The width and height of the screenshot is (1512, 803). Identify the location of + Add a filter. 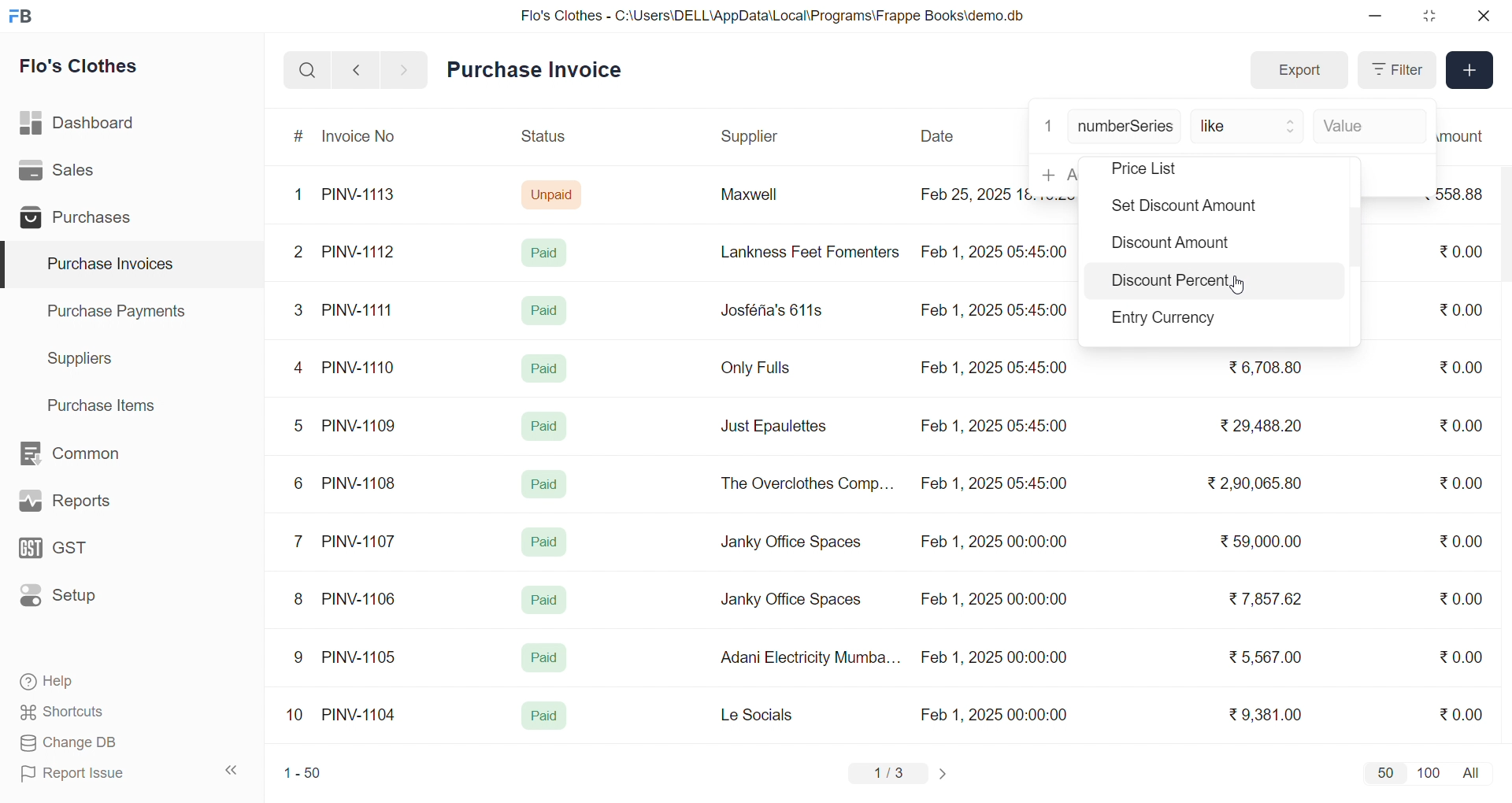
(1054, 174).